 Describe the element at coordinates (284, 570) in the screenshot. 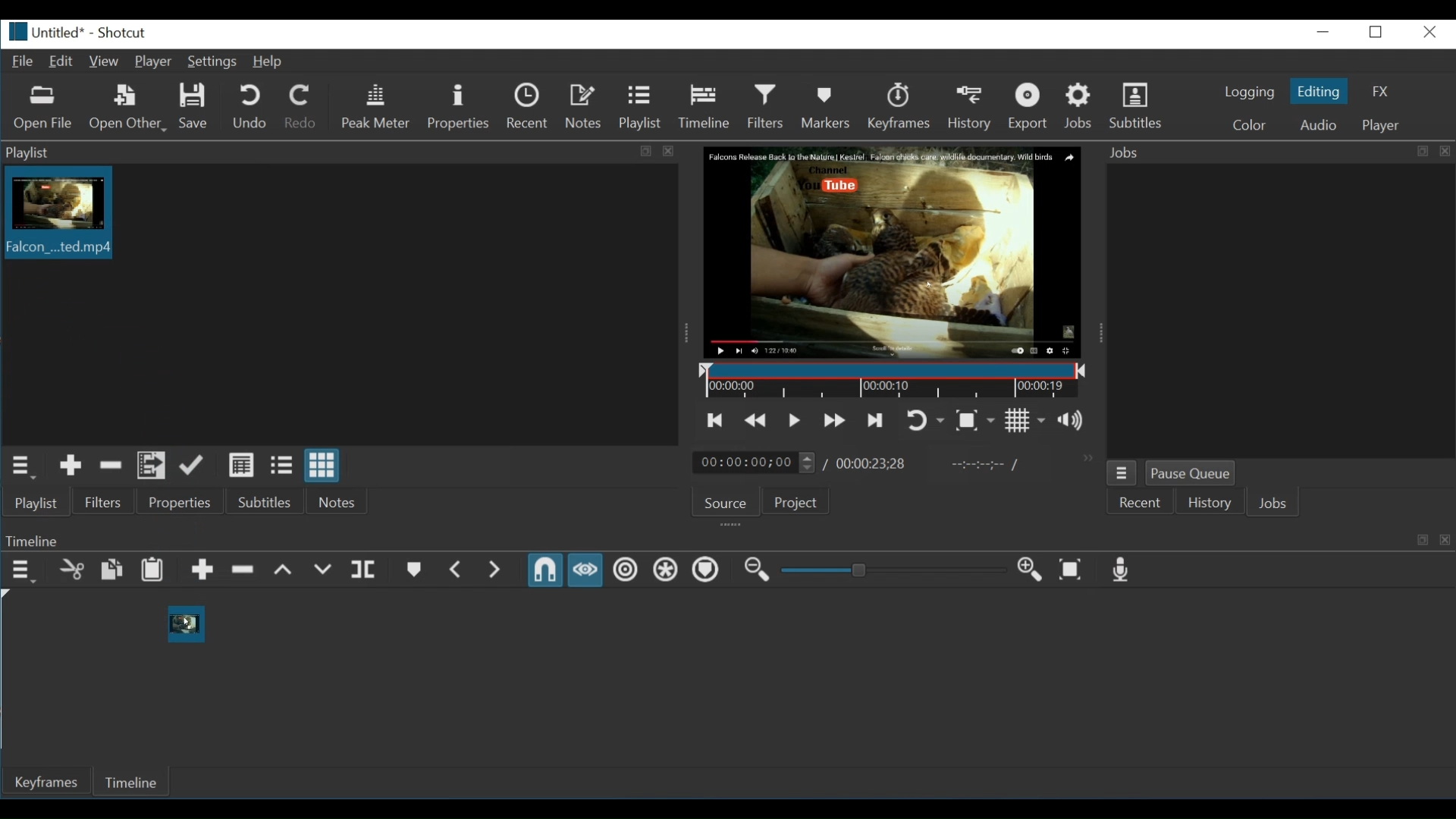

I see `lift ` at that location.